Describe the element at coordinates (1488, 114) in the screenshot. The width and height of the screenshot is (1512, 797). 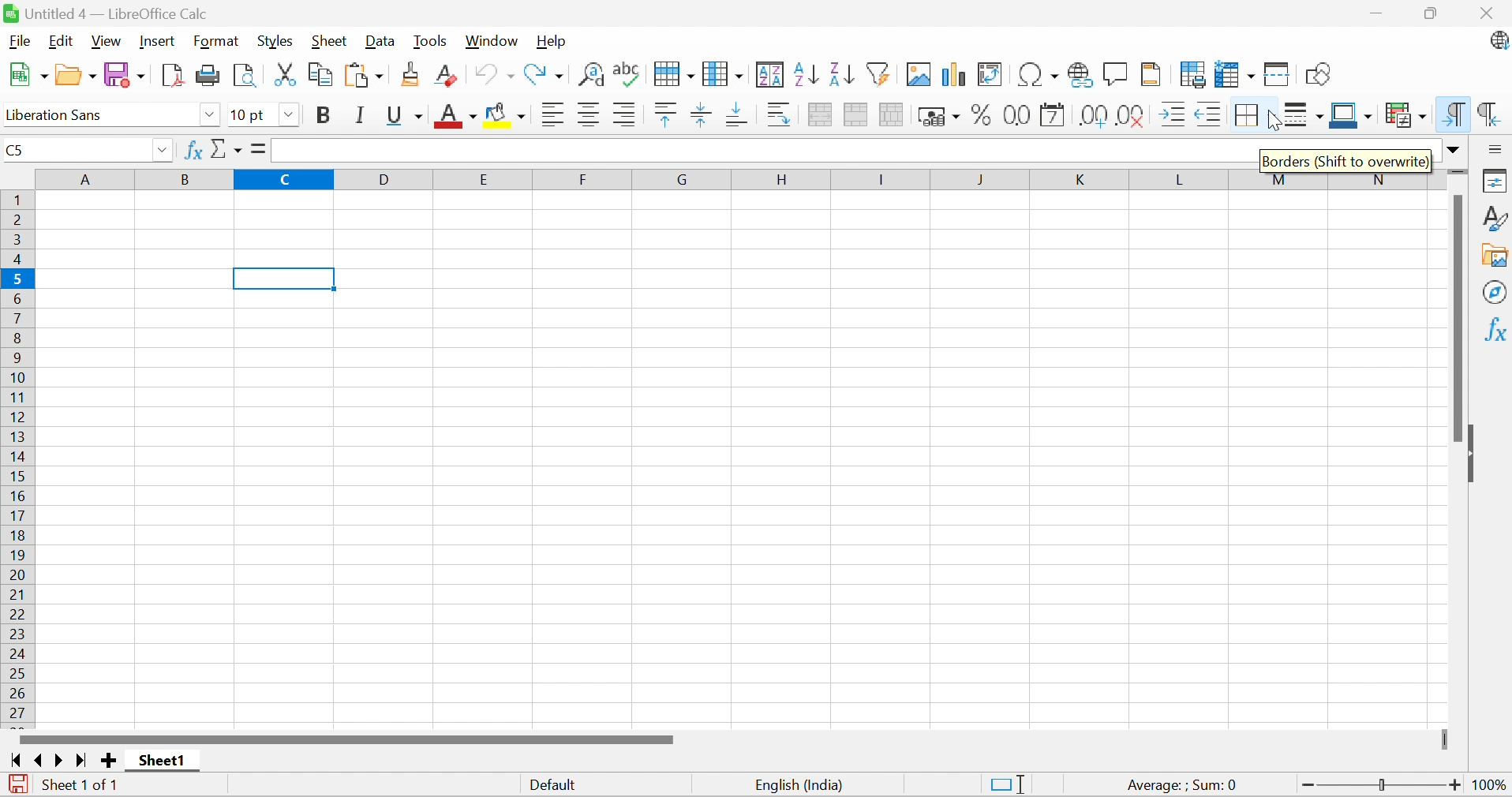
I see `Right-to-left` at that location.